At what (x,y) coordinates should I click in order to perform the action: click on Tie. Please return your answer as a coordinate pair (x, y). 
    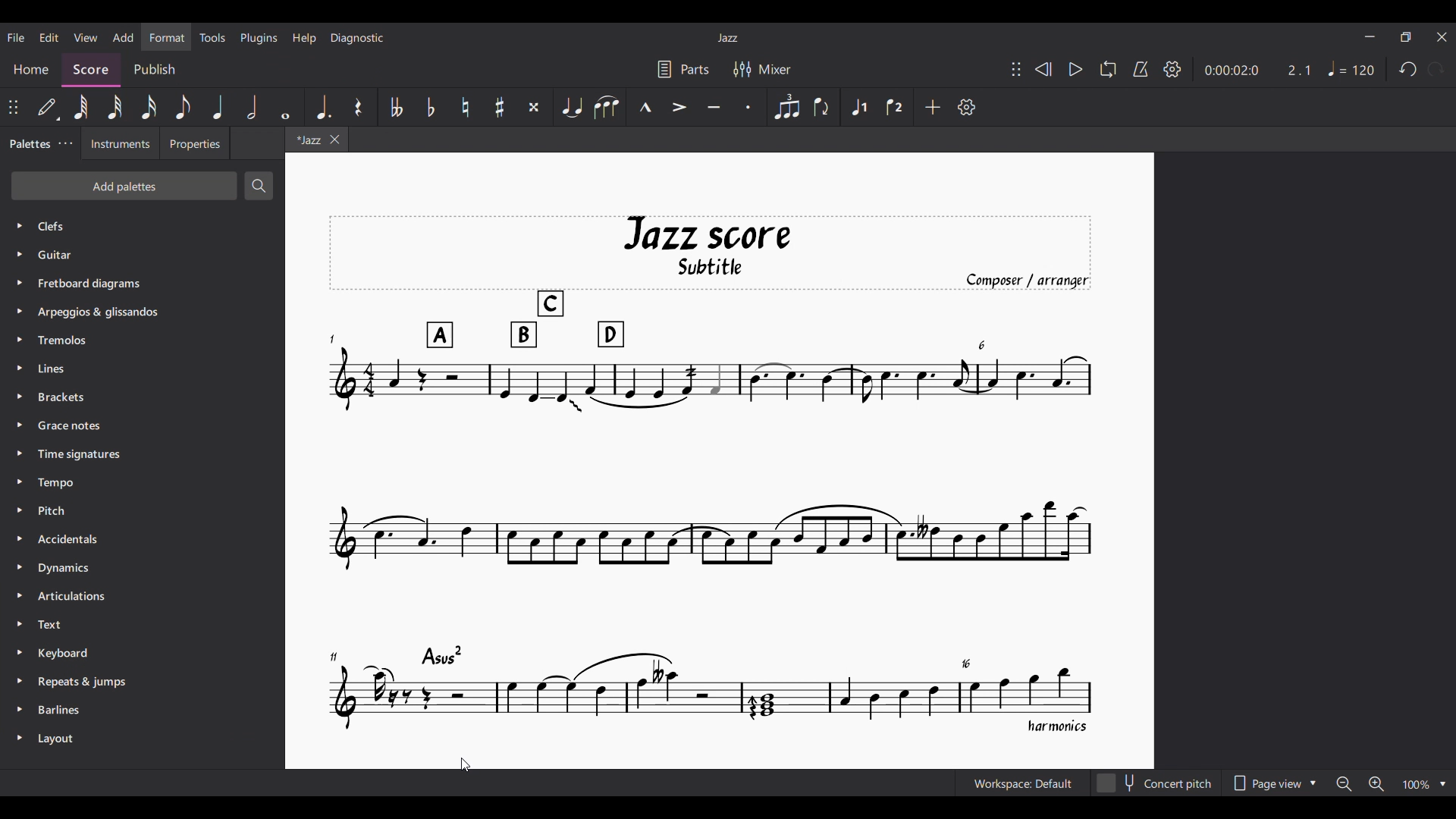
    Looking at the image, I should click on (572, 107).